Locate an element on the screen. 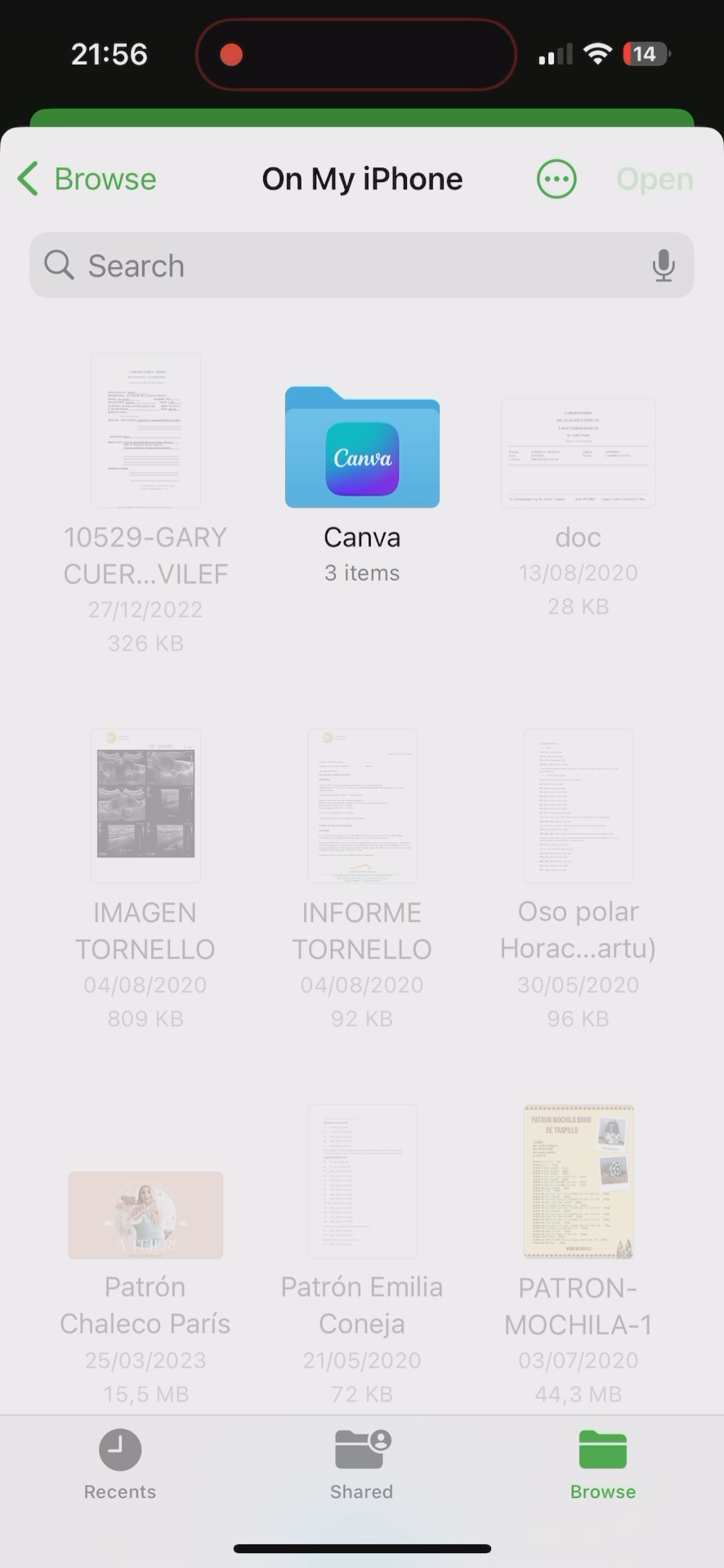 Image resolution: width=724 pixels, height=1568 pixels. search is located at coordinates (341, 265).